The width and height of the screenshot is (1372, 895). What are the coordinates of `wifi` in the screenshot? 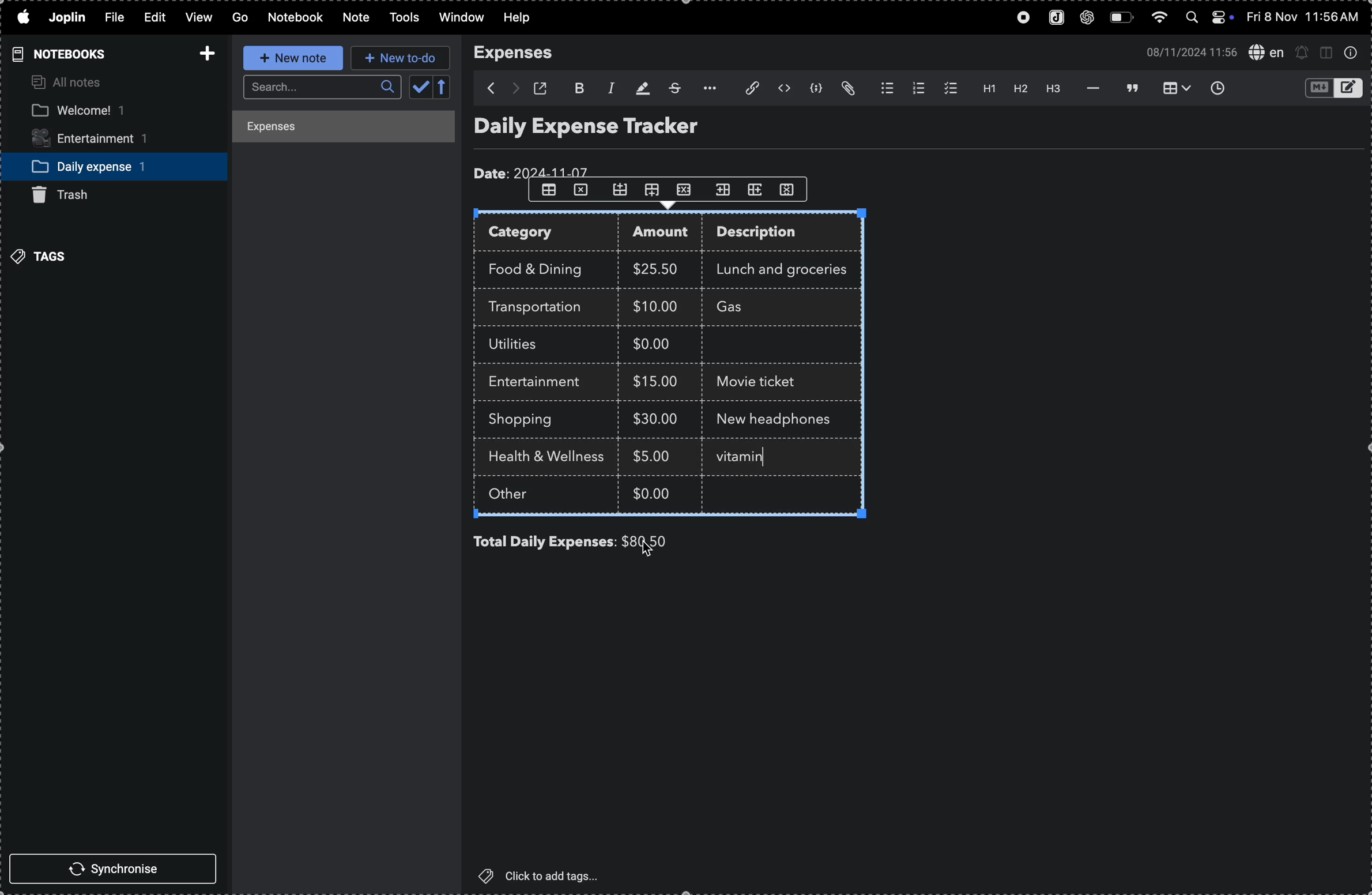 It's located at (1158, 20).